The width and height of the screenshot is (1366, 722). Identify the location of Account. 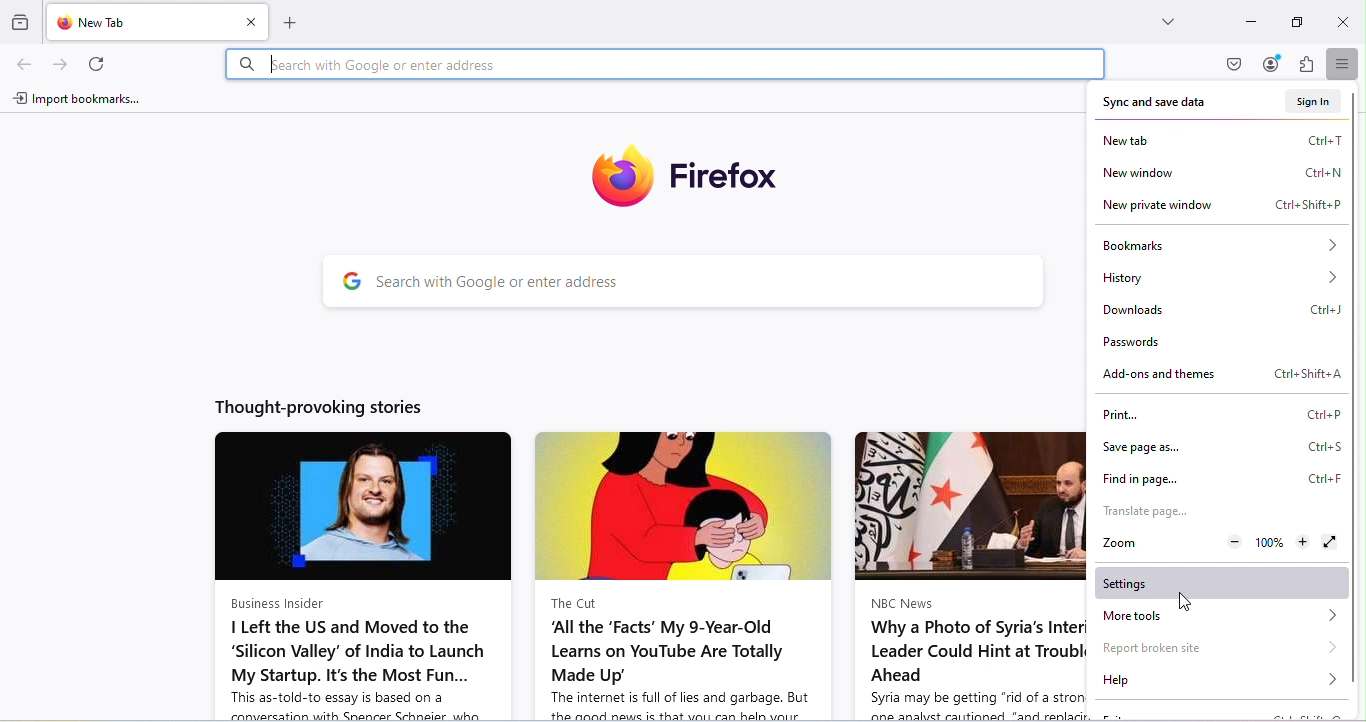
(1271, 65).